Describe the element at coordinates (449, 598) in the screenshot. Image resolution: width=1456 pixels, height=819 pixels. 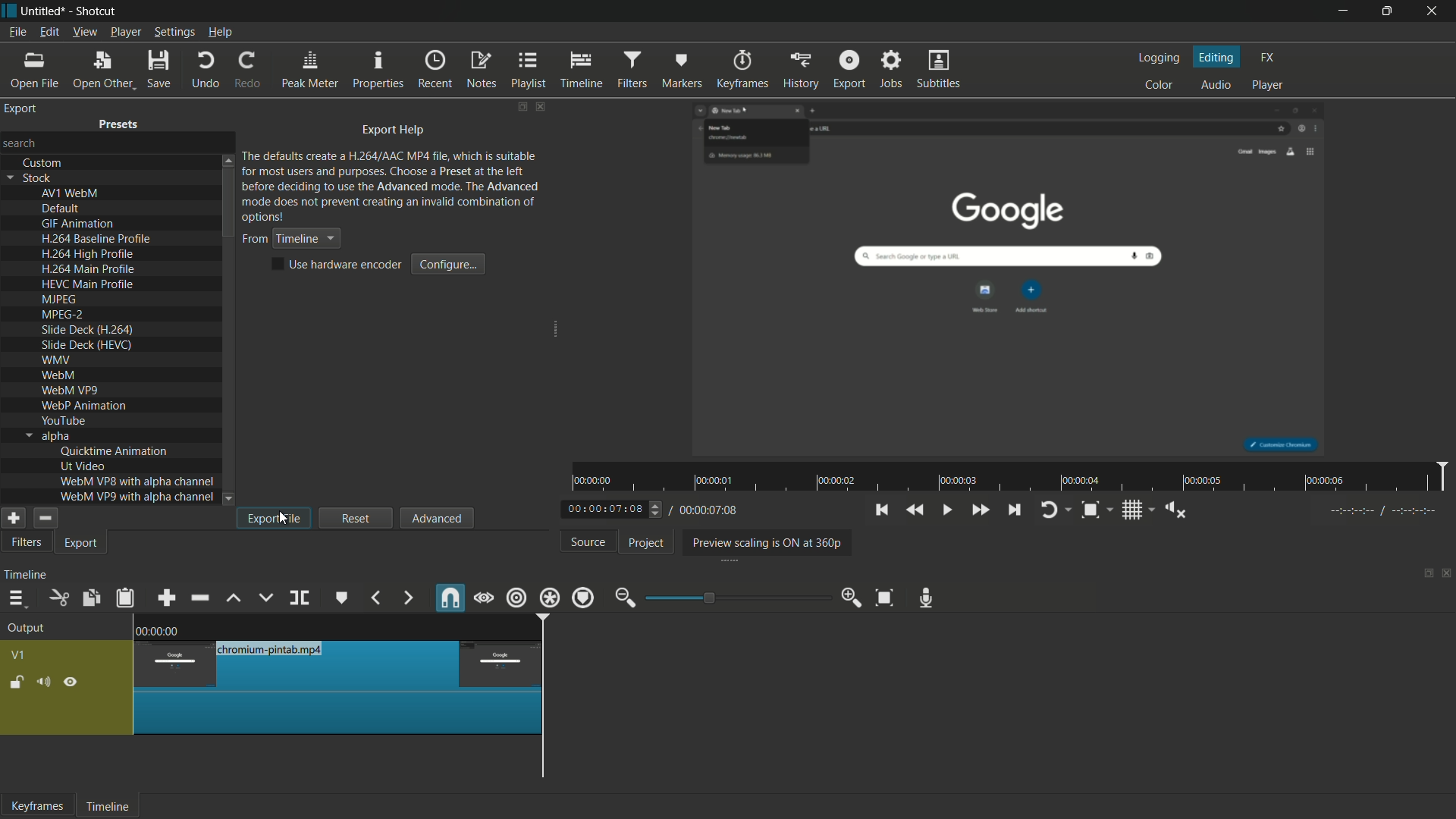
I see `snap` at that location.